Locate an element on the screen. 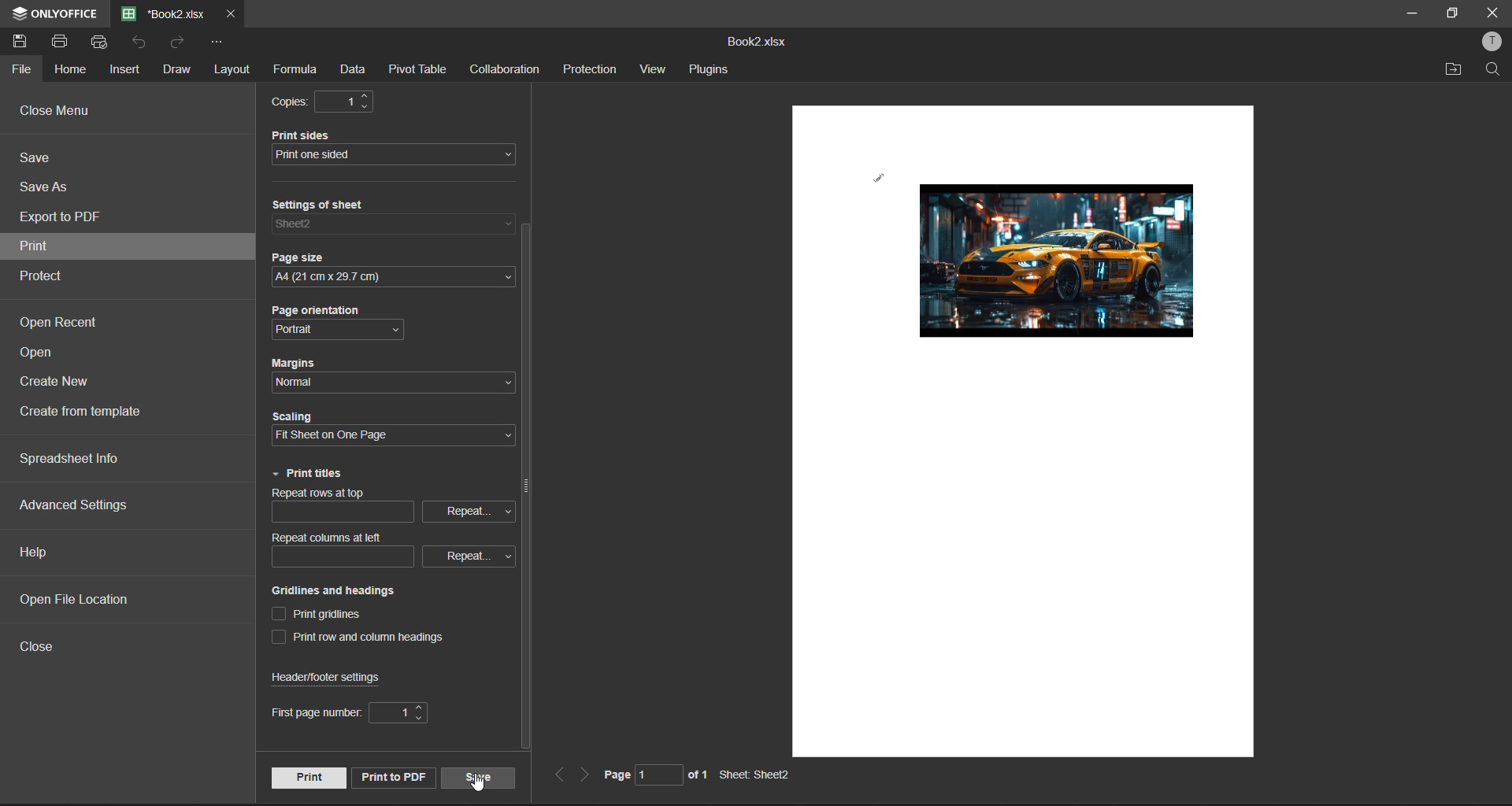 The width and height of the screenshot is (1512, 806). open file location is located at coordinates (86, 601).